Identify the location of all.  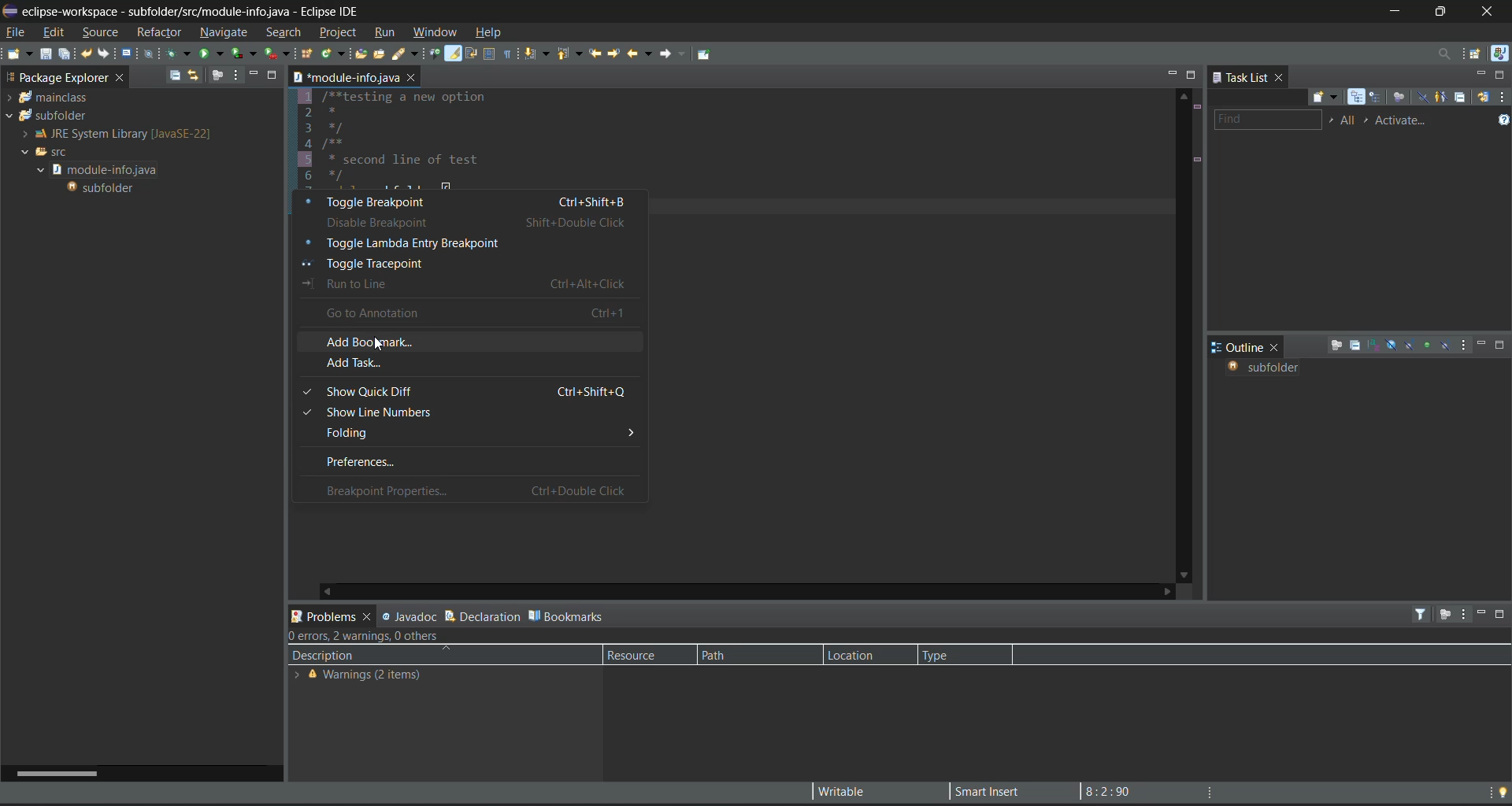
(1349, 120).